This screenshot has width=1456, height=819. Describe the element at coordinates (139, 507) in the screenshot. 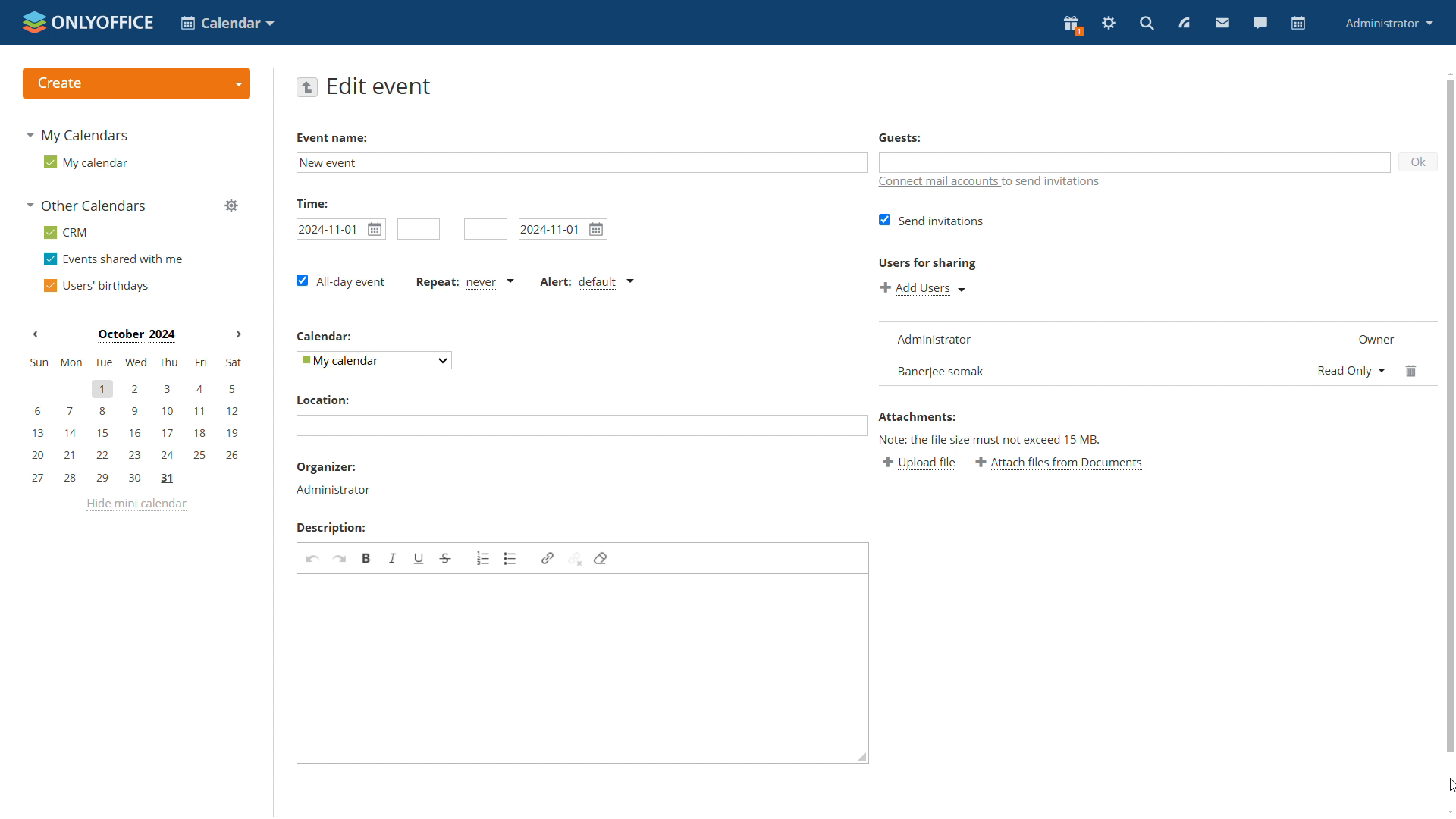

I see `hide mini calendar` at that location.